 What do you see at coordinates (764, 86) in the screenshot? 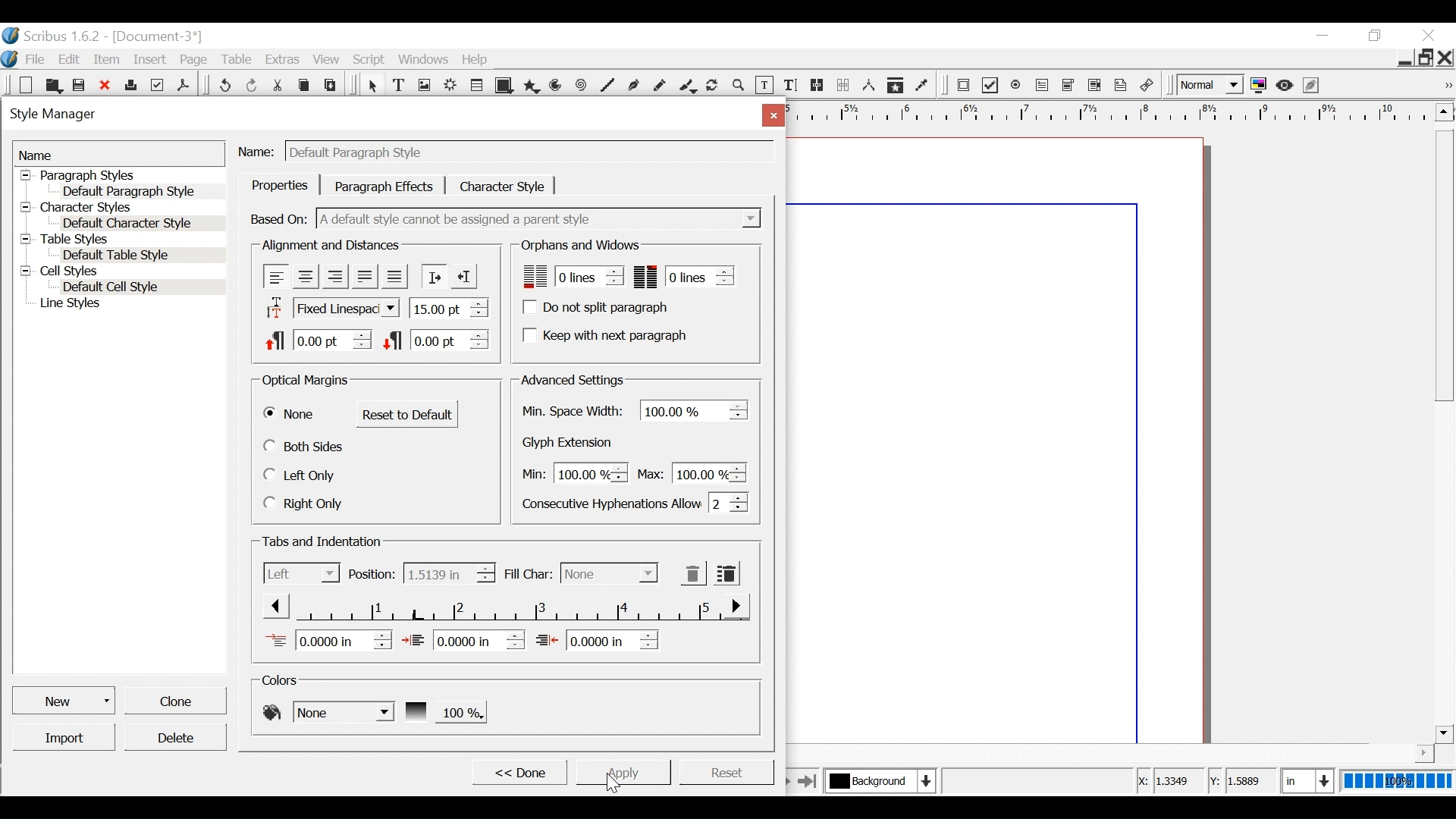
I see `Edit Contents of frame` at bounding box center [764, 86].